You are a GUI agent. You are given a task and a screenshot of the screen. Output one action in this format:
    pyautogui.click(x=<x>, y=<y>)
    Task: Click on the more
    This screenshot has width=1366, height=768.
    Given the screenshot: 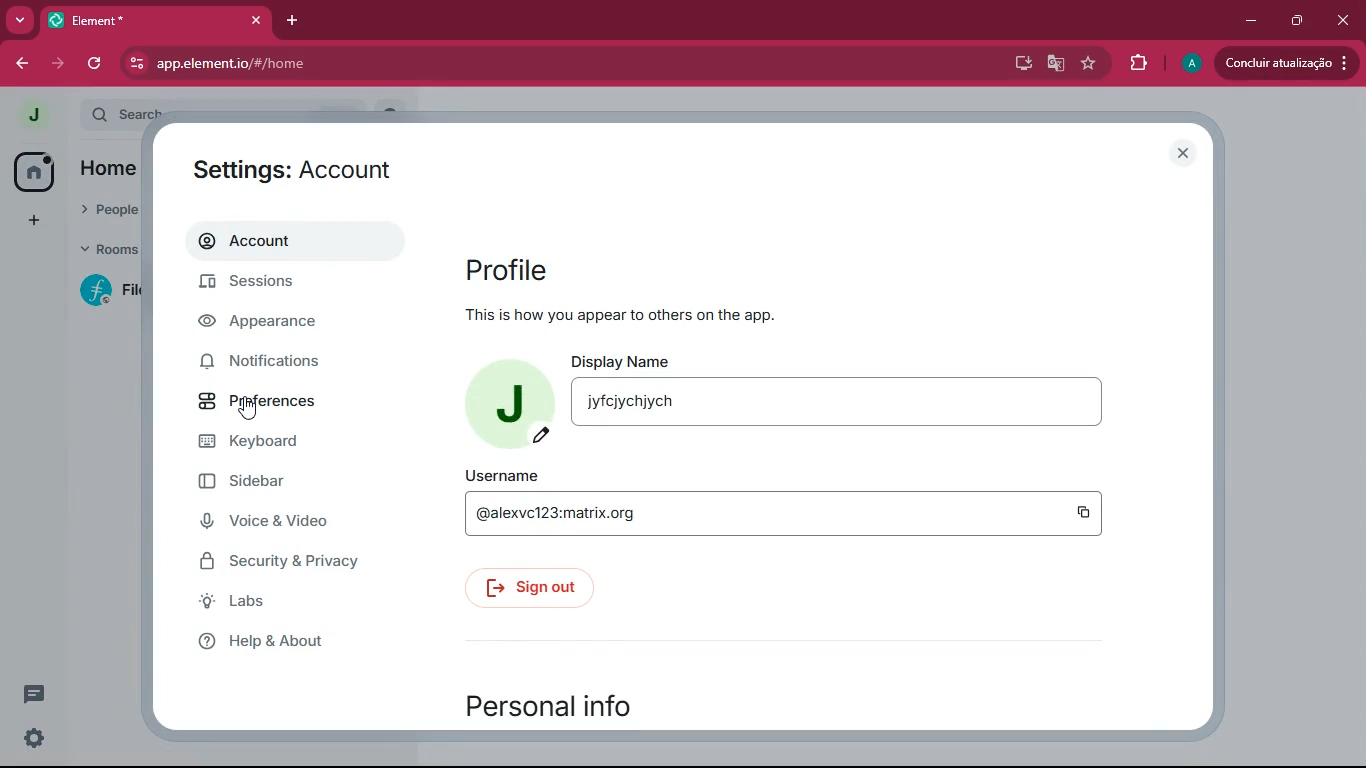 What is the action you would take?
    pyautogui.click(x=32, y=218)
    